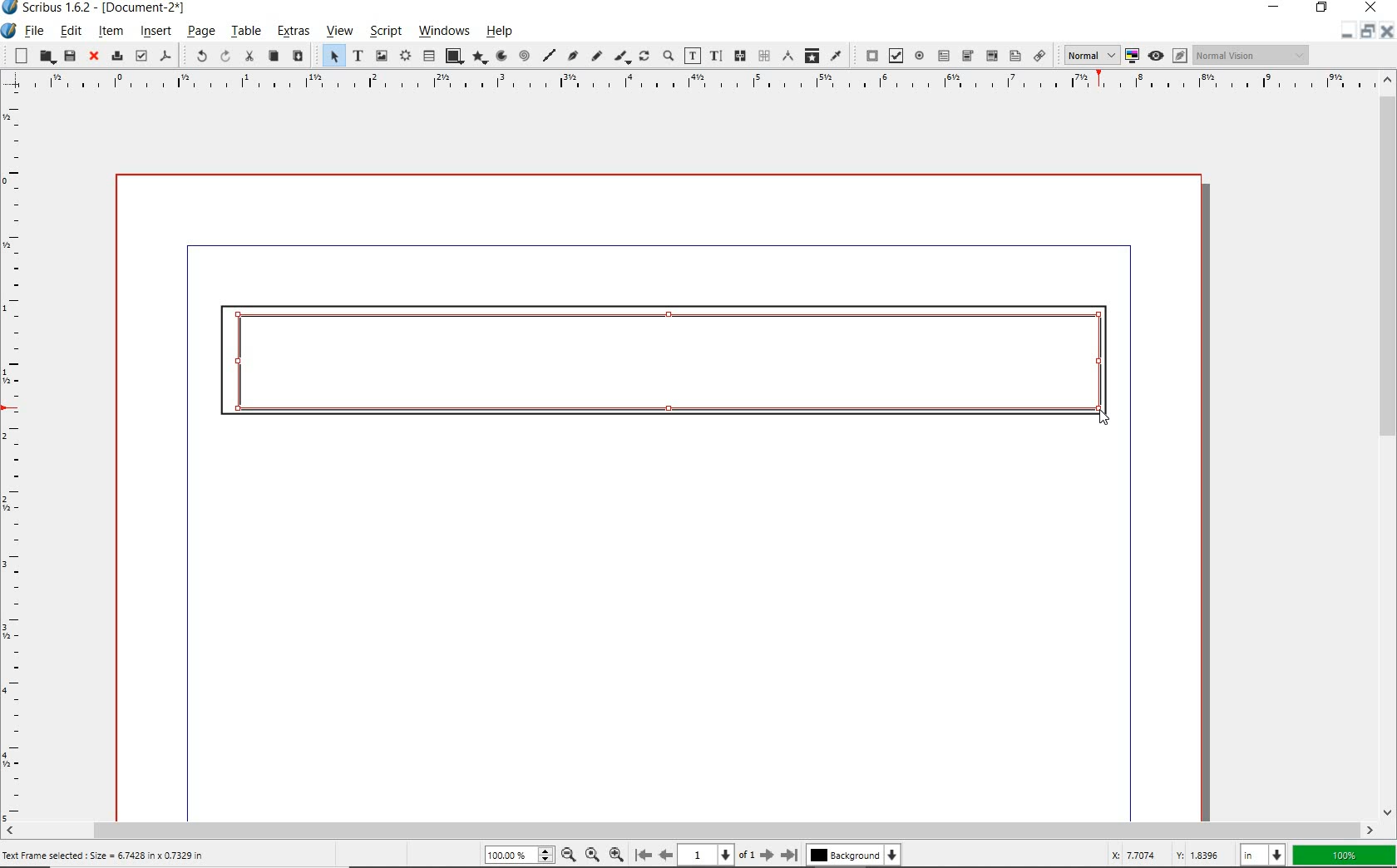 The image size is (1397, 868). I want to click on rotate item, so click(644, 55).